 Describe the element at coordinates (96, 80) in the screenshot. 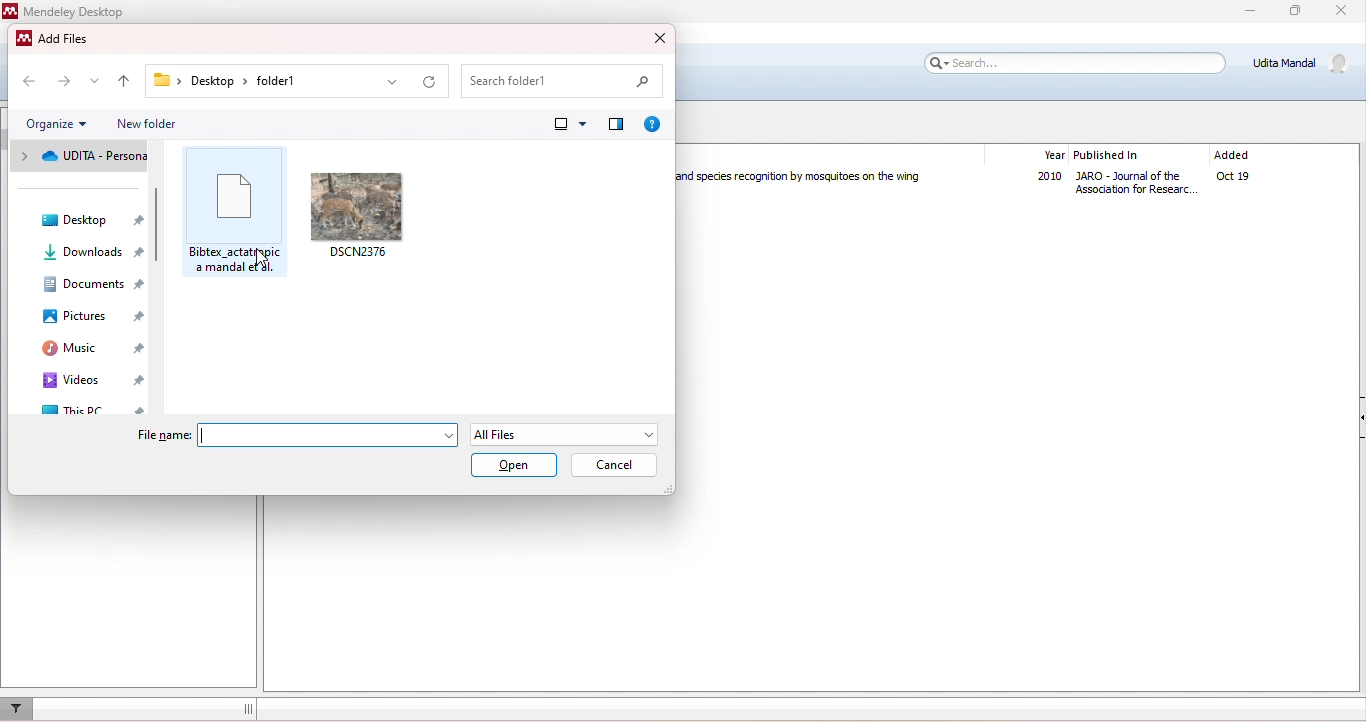

I see `drop down` at that location.